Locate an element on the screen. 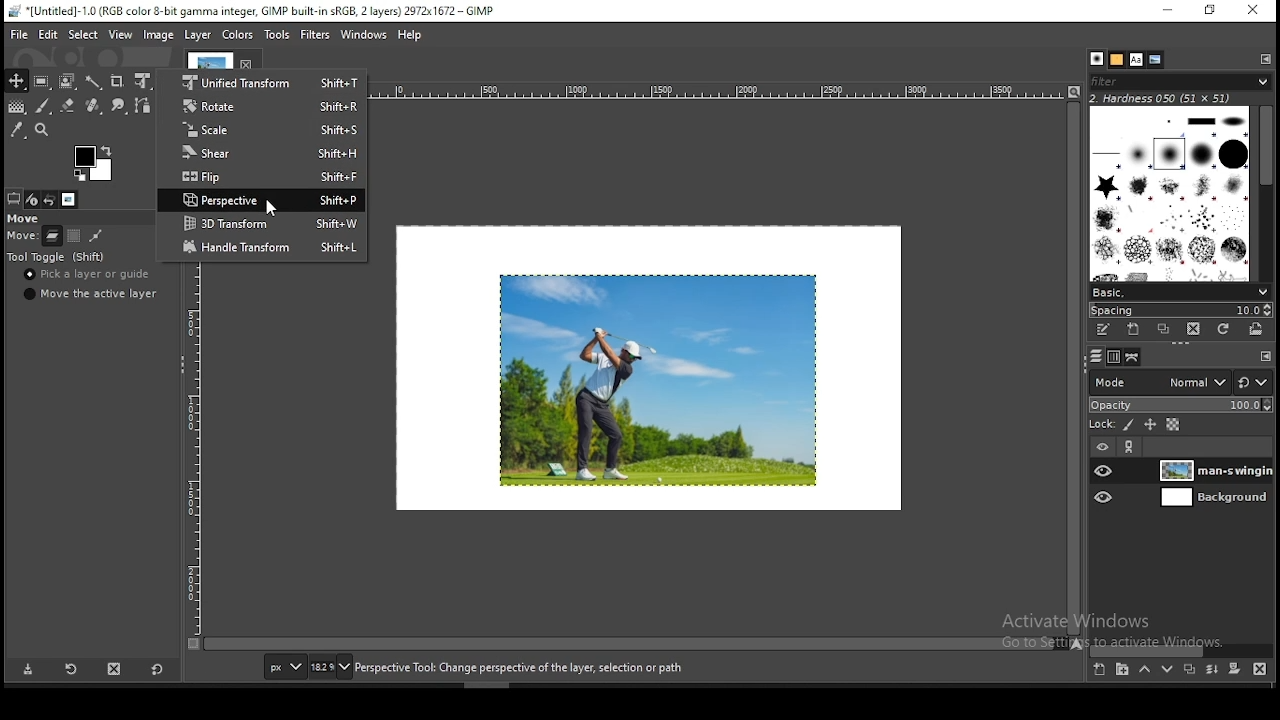 The width and height of the screenshot is (1280, 720). scroll bar is located at coordinates (1073, 369).